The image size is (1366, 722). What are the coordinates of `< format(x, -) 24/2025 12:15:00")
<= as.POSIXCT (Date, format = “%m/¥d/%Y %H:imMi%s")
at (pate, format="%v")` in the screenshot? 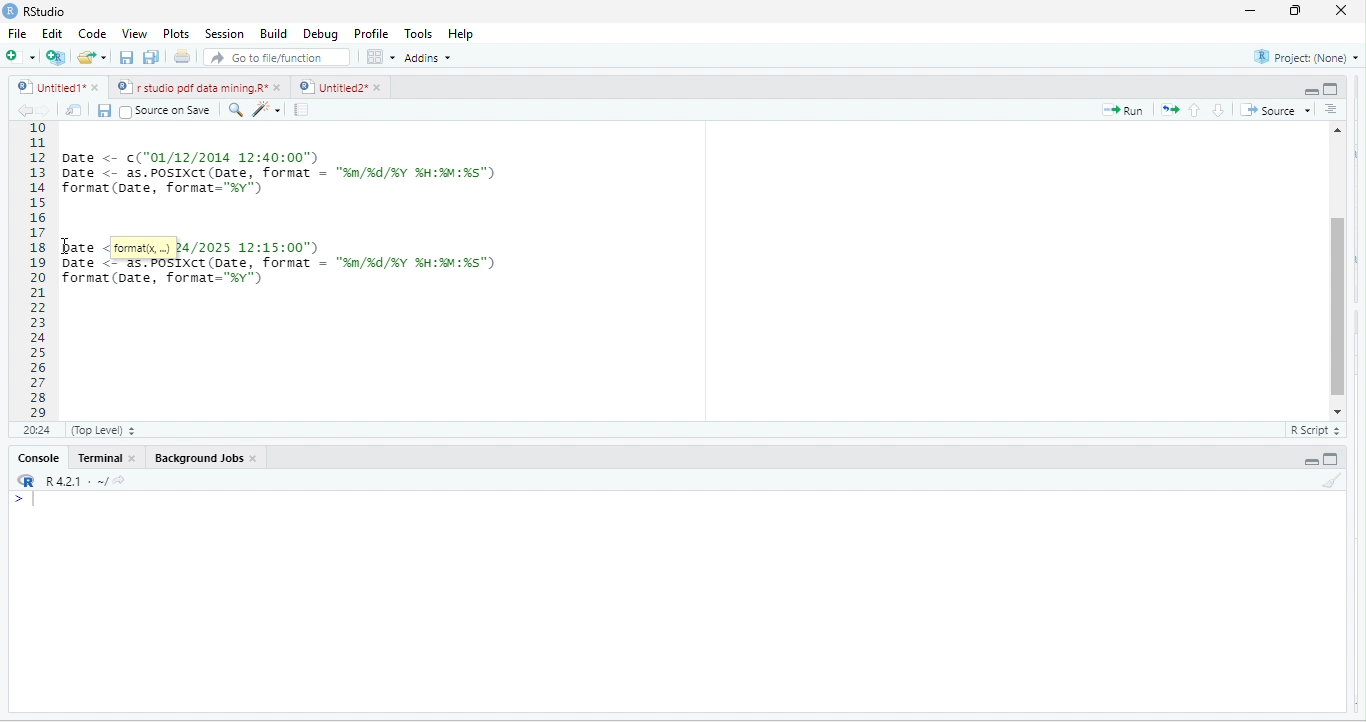 It's located at (315, 279).